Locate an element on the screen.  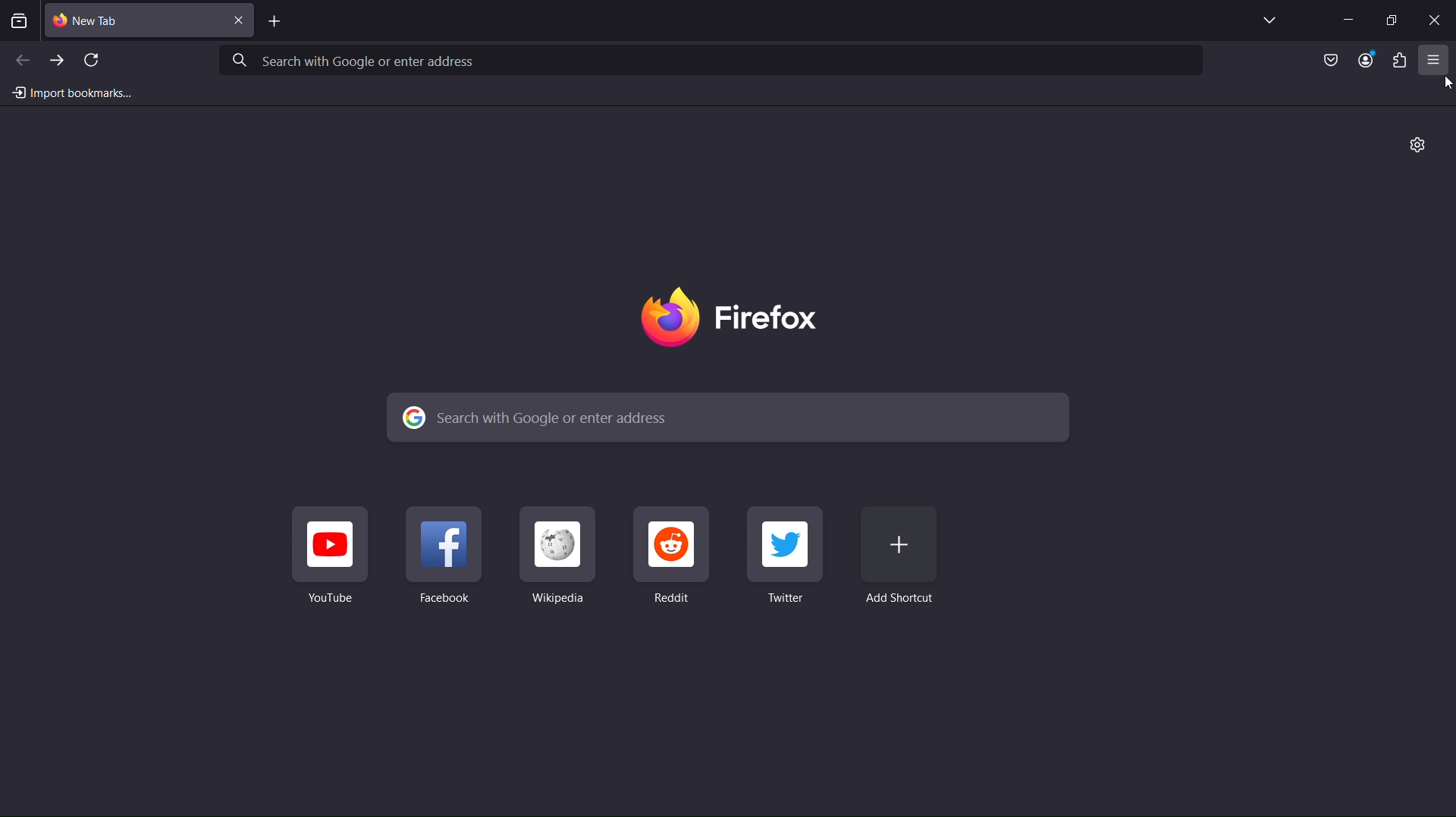
Firefox Logo is located at coordinates (745, 319).